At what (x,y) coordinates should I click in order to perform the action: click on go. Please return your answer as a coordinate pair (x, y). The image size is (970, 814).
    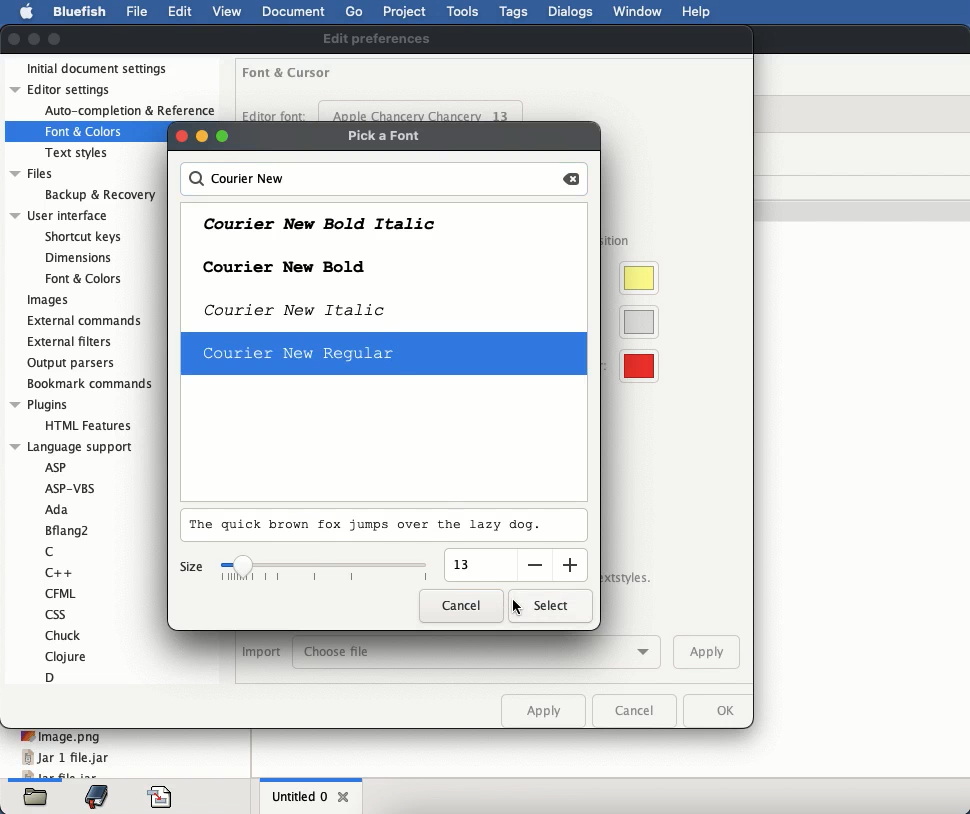
    Looking at the image, I should click on (355, 11).